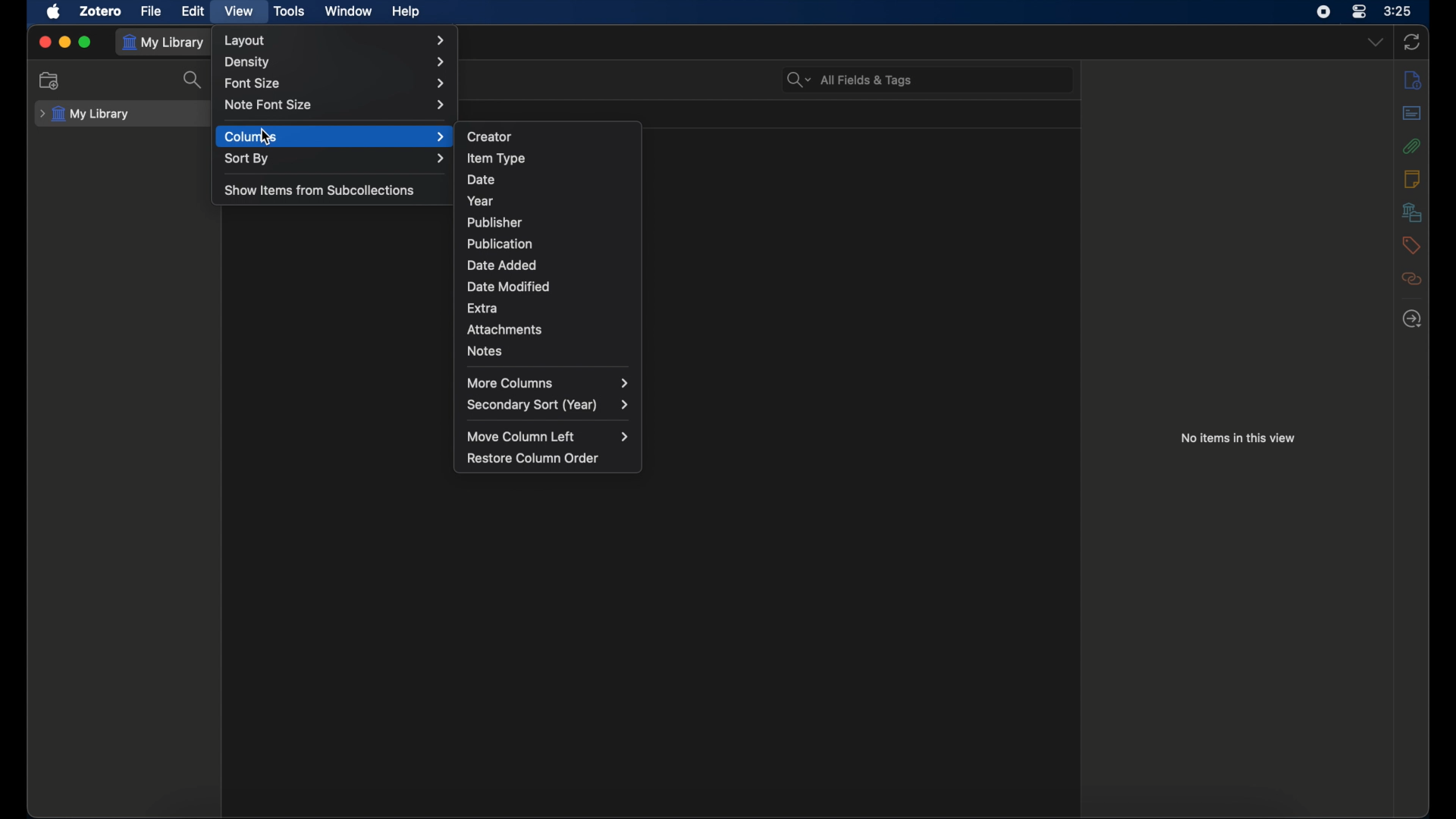 The image size is (1456, 819). Describe the element at coordinates (49, 80) in the screenshot. I see `new collections` at that location.